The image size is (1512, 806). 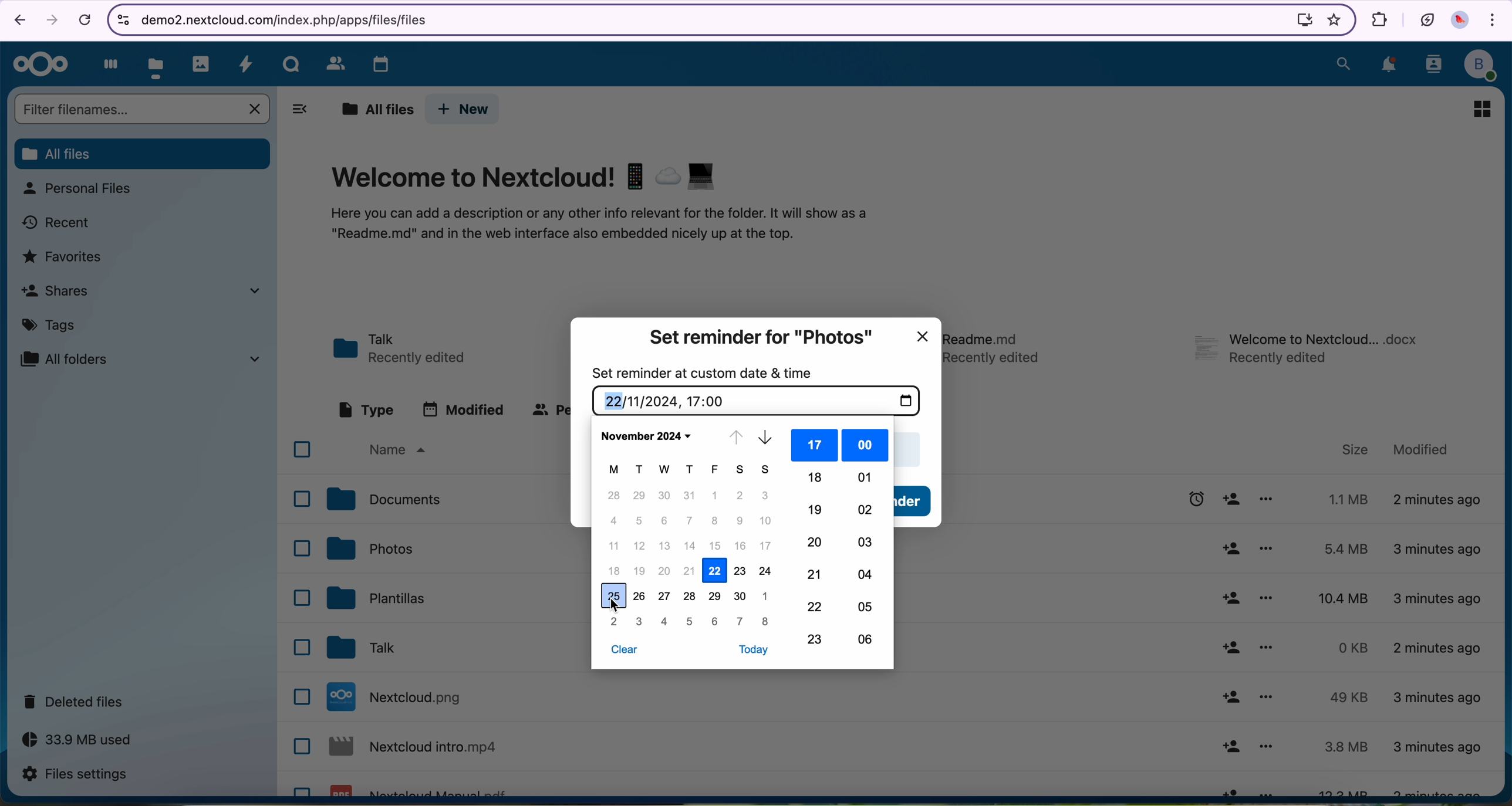 What do you see at coordinates (715, 521) in the screenshot?
I see `8` at bounding box center [715, 521].